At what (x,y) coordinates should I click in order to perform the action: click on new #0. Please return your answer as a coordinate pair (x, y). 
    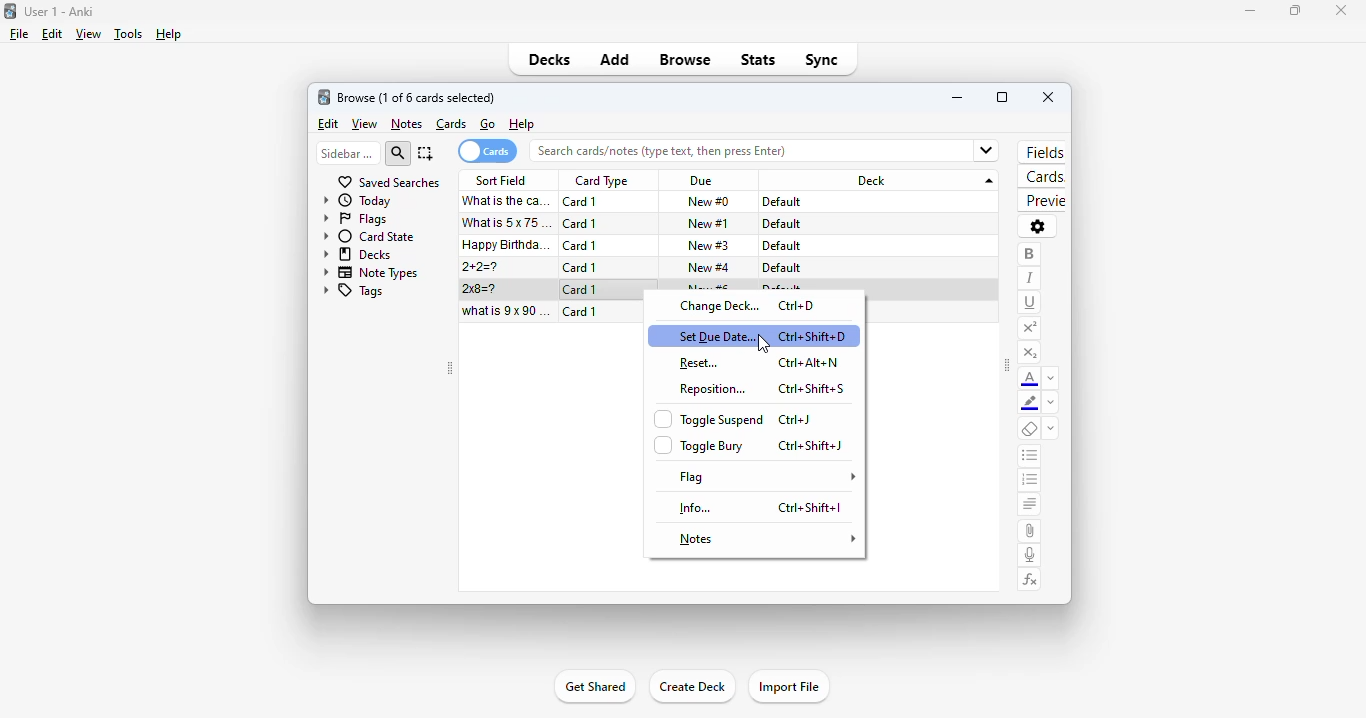
    Looking at the image, I should click on (708, 202).